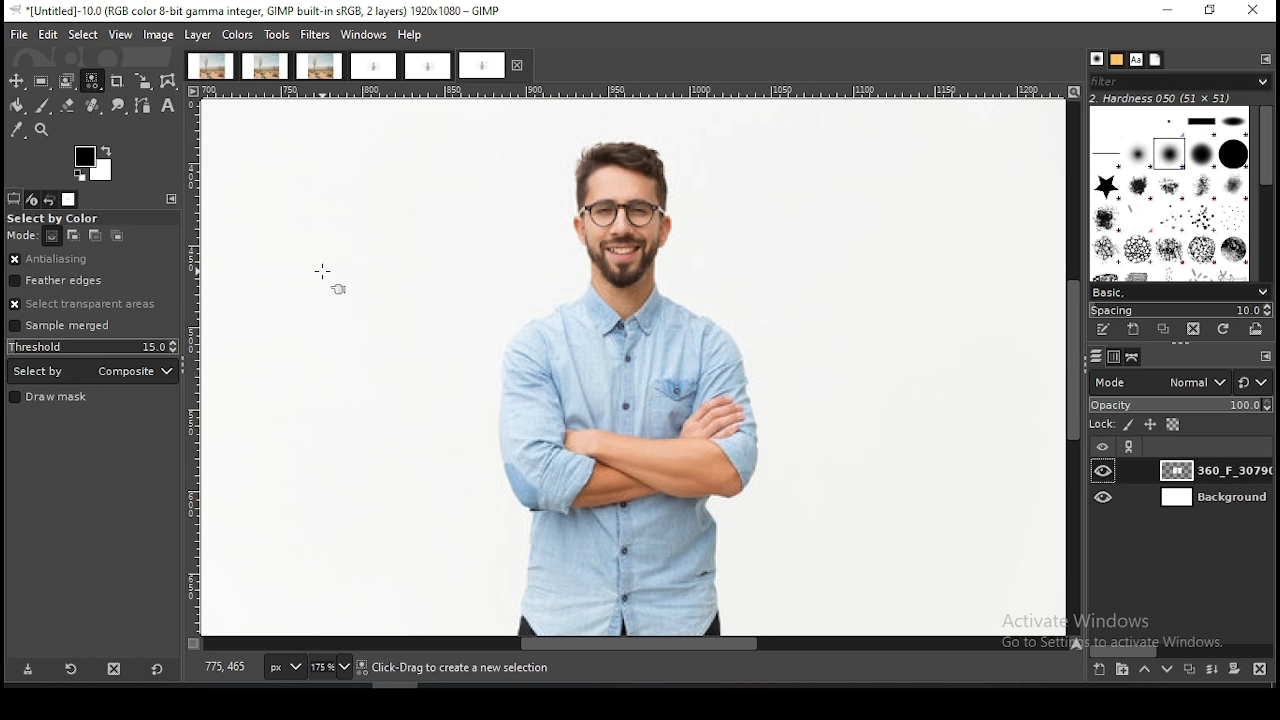 The height and width of the screenshot is (720, 1280). I want to click on project tab, so click(320, 66).